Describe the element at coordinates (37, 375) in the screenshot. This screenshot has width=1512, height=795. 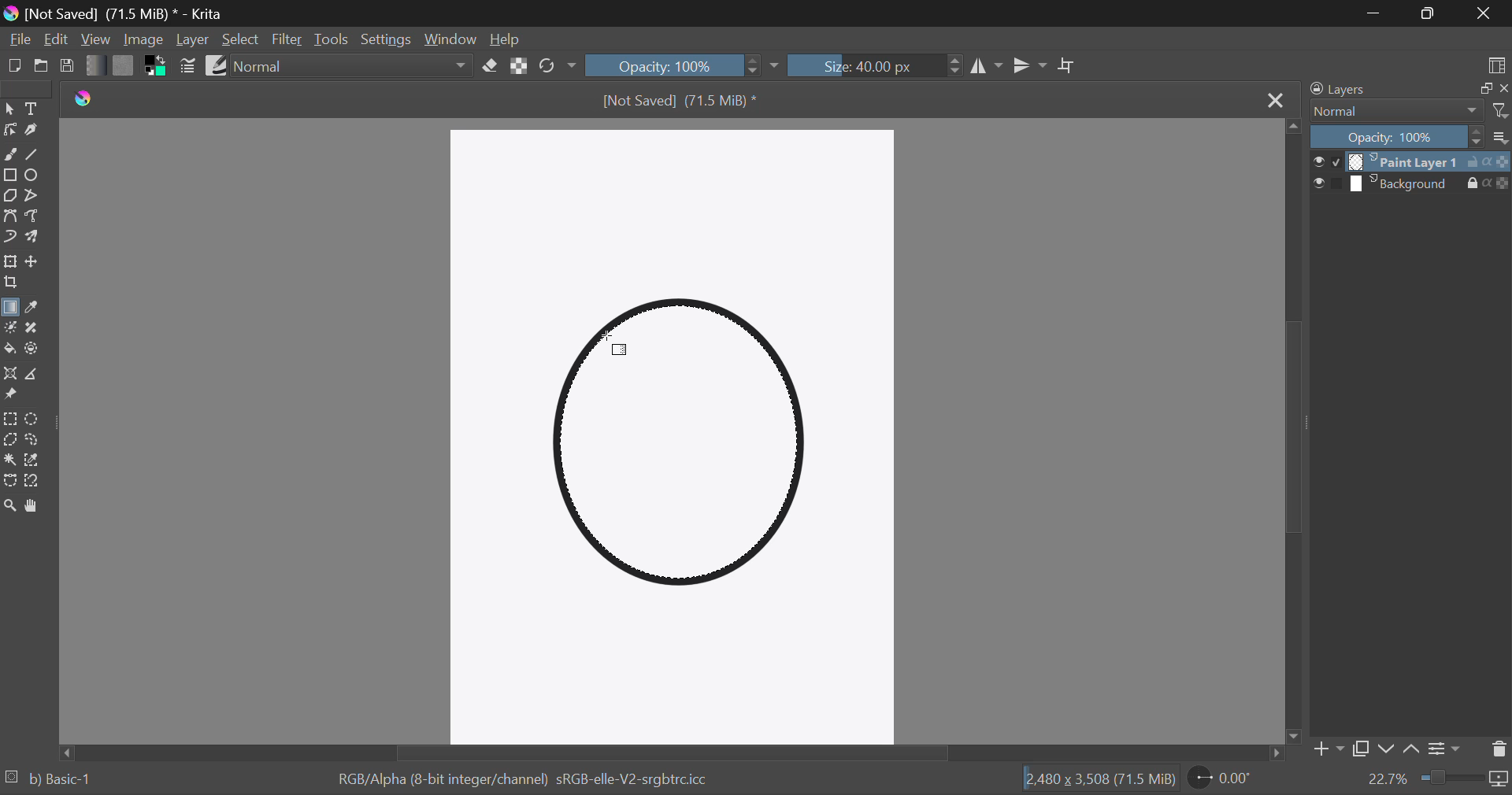
I see `Measurement` at that location.